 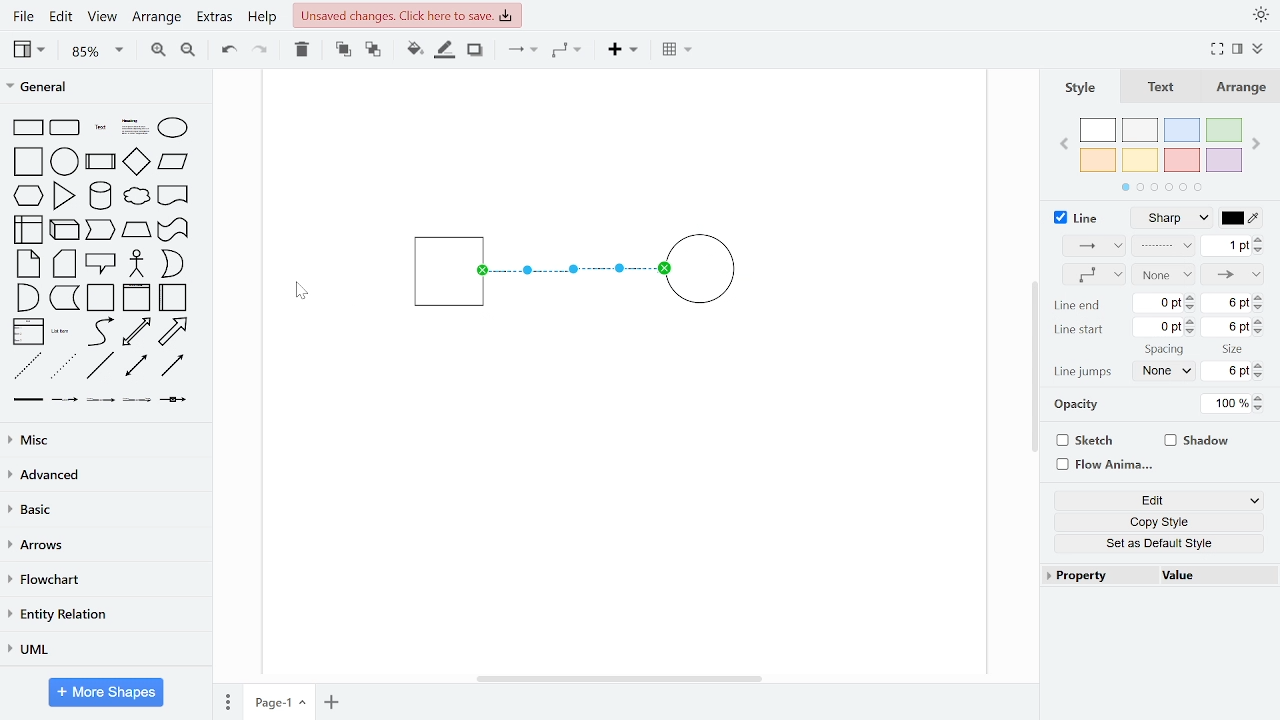 What do you see at coordinates (102, 616) in the screenshot?
I see `entity relation` at bounding box center [102, 616].